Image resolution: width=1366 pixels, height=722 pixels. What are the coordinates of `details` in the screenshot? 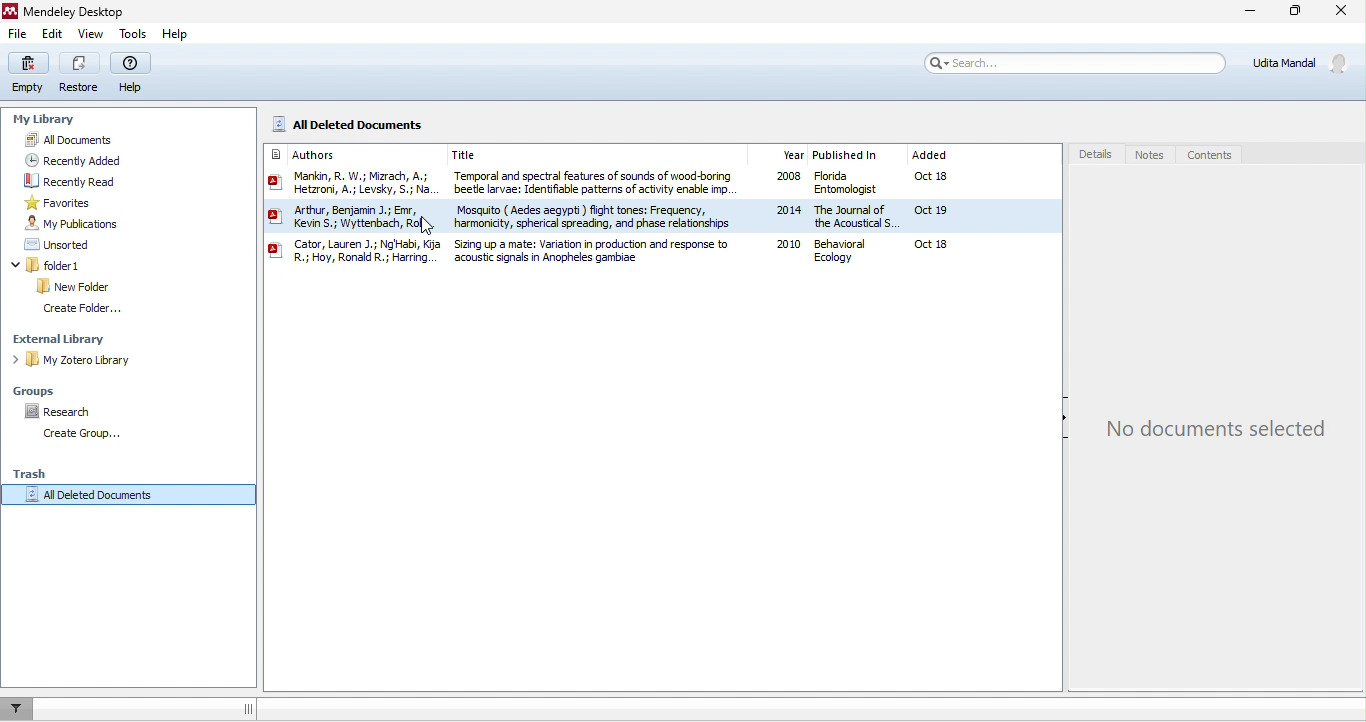 It's located at (1090, 156).